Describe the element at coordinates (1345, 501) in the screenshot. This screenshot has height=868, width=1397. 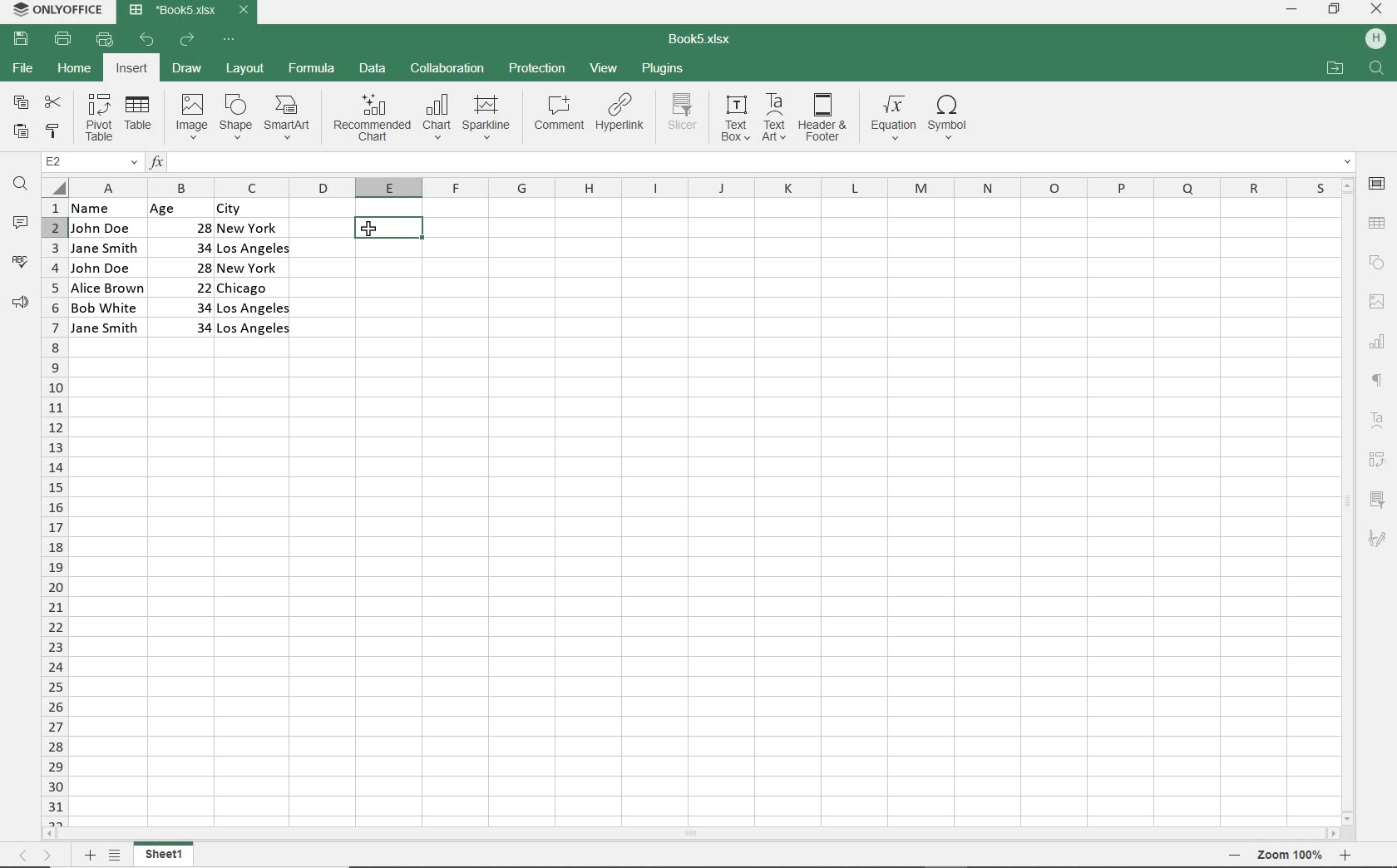
I see `SCROLLBAR` at that location.